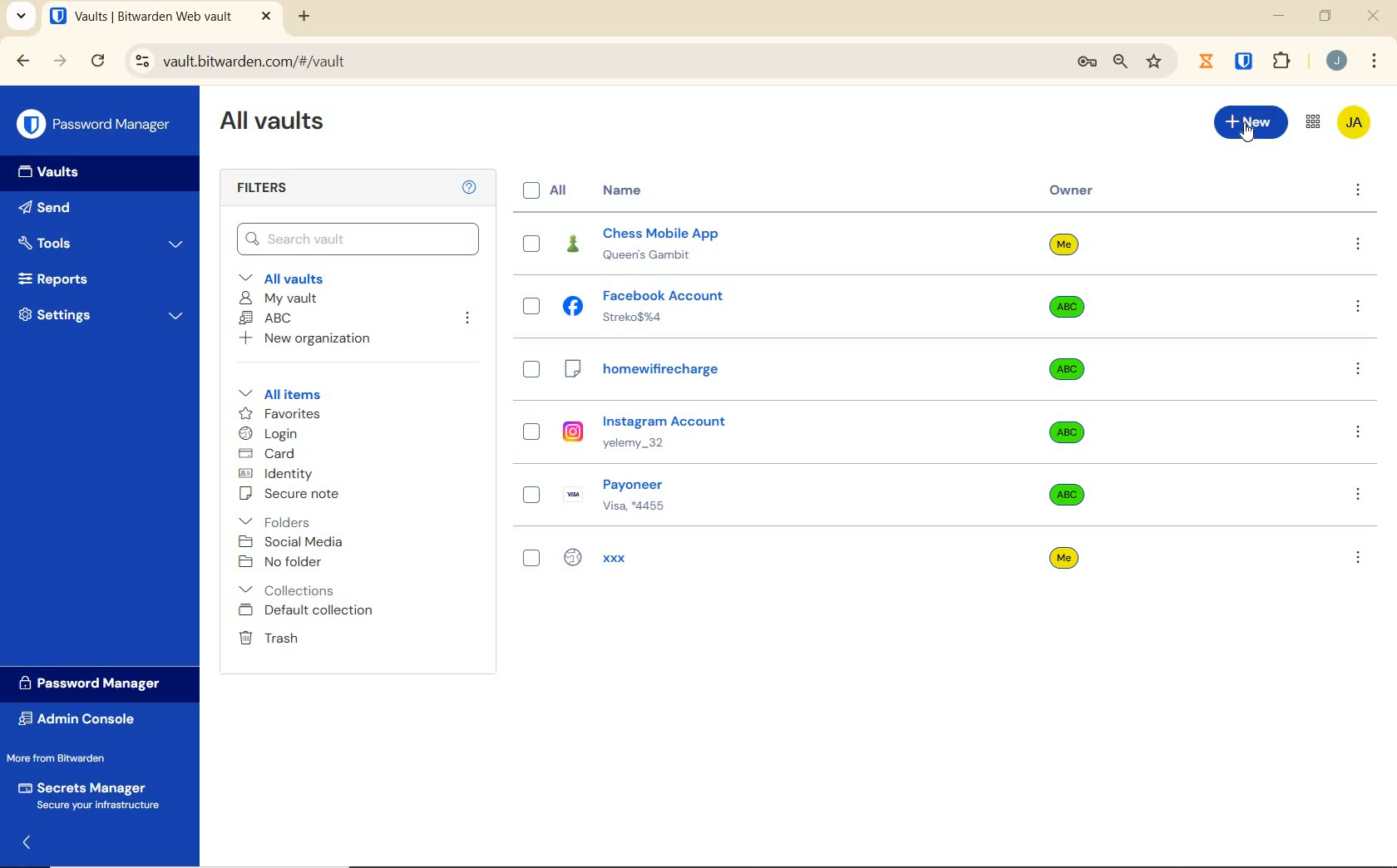  Describe the element at coordinates (1060, 404) in the screenshot. I see `Owner Name` at that location.